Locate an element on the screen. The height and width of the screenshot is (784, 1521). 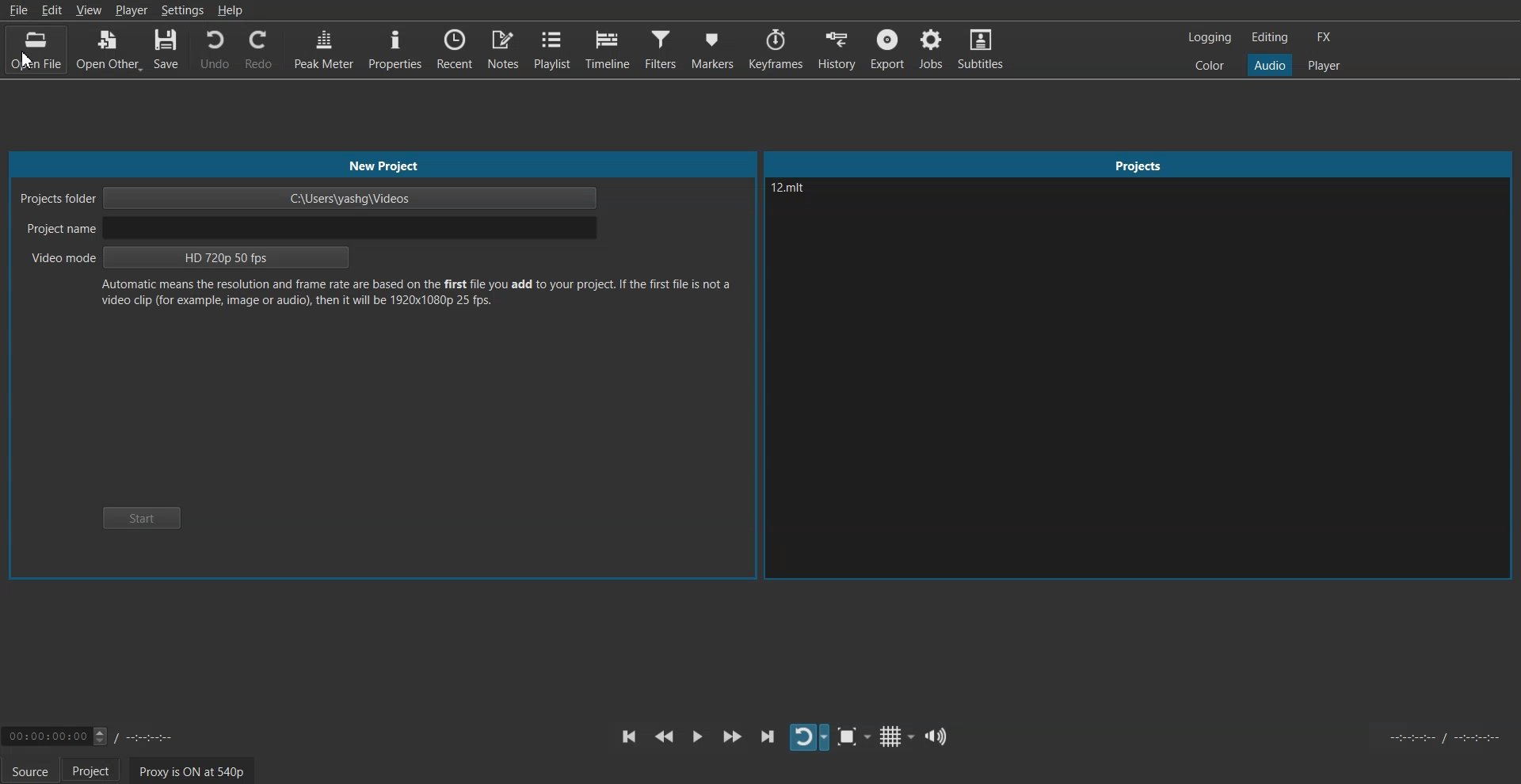
Toggle player looping is located at coordinates (810, 737).